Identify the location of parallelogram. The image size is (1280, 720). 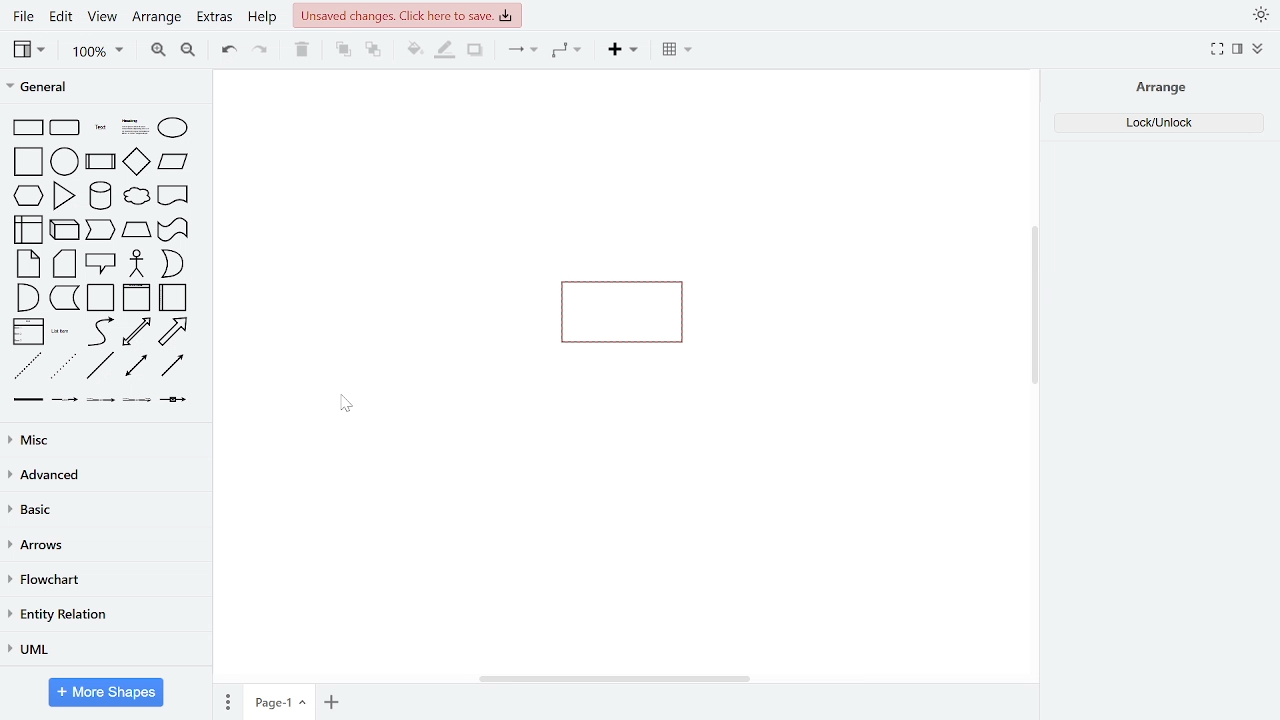
(174, 163).